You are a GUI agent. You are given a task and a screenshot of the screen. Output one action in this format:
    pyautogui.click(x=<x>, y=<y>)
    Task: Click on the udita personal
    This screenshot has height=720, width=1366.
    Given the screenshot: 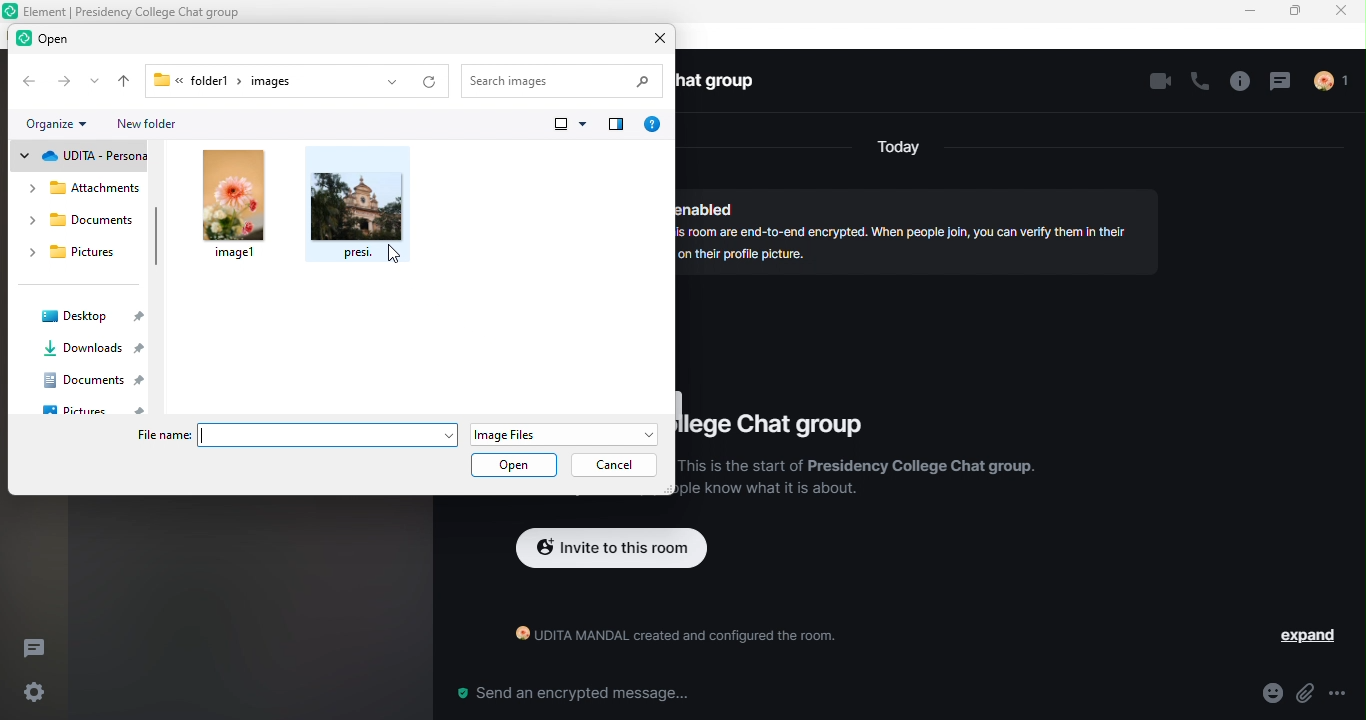 What is the action you would take?
    pyautogui.click(x=86, y=158)
    